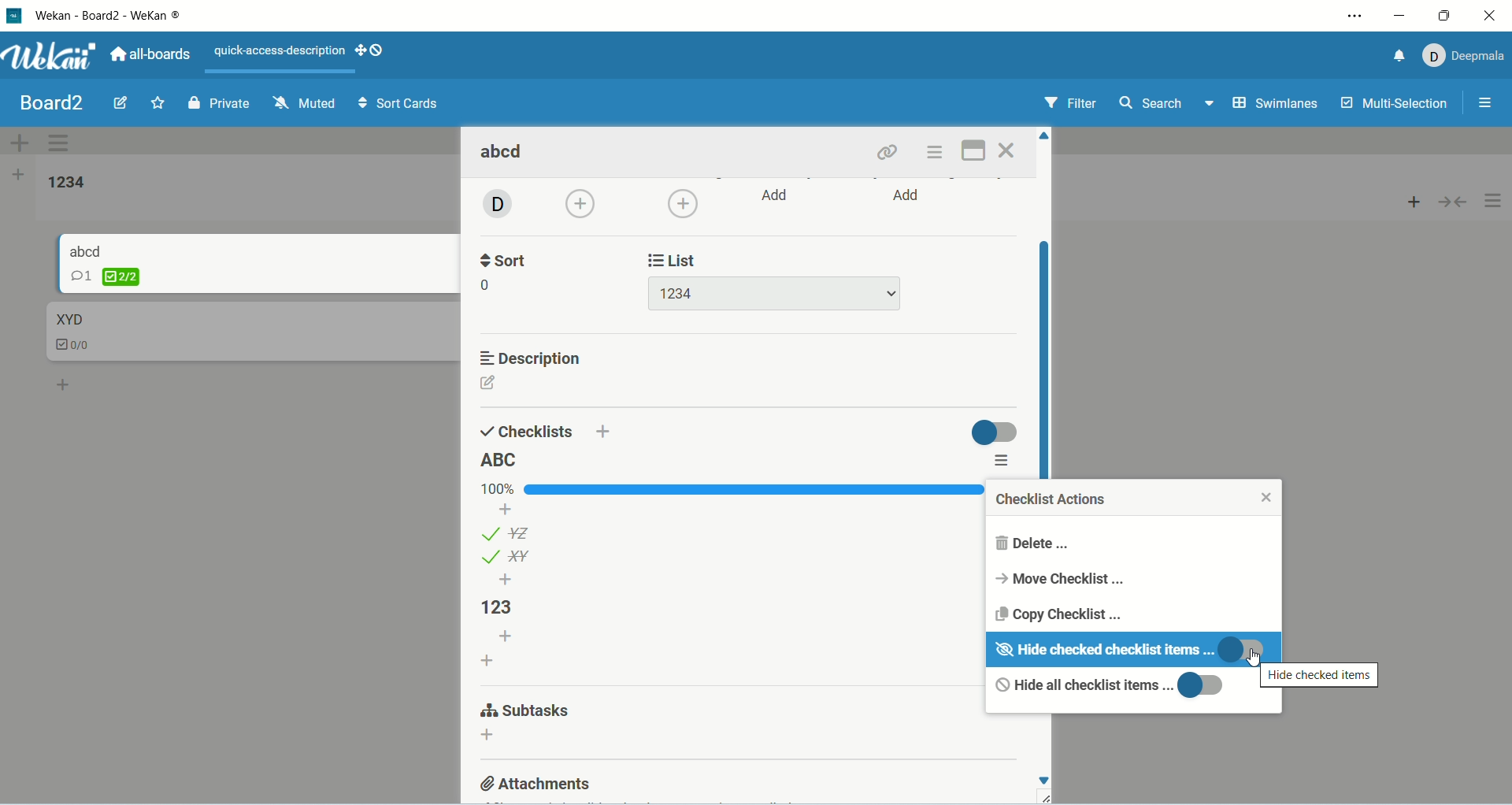 The width and height of the screenshot is (1512, 805). I want to click on options, so click(1490, 101).